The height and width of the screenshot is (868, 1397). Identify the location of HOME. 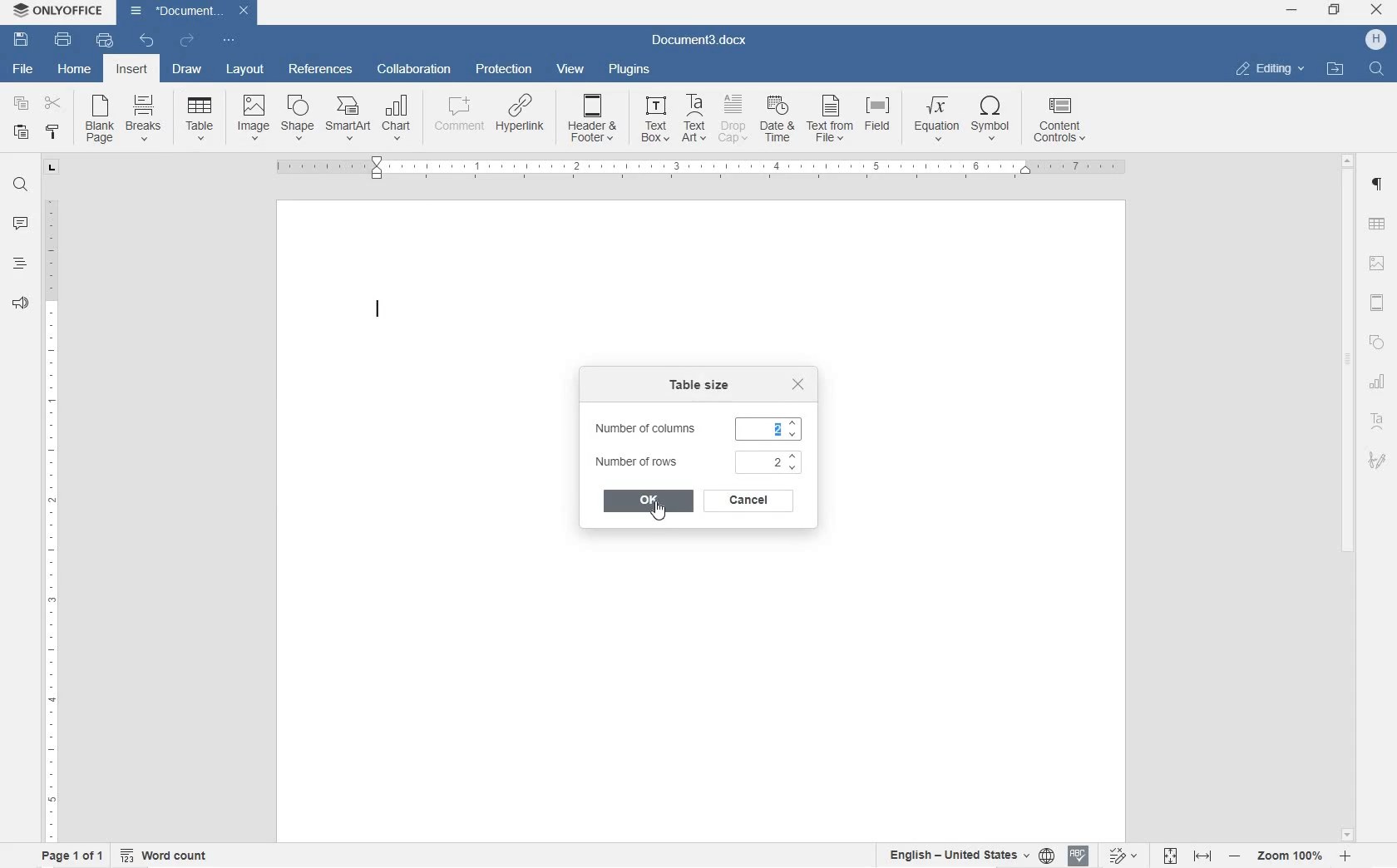
(76, 67).